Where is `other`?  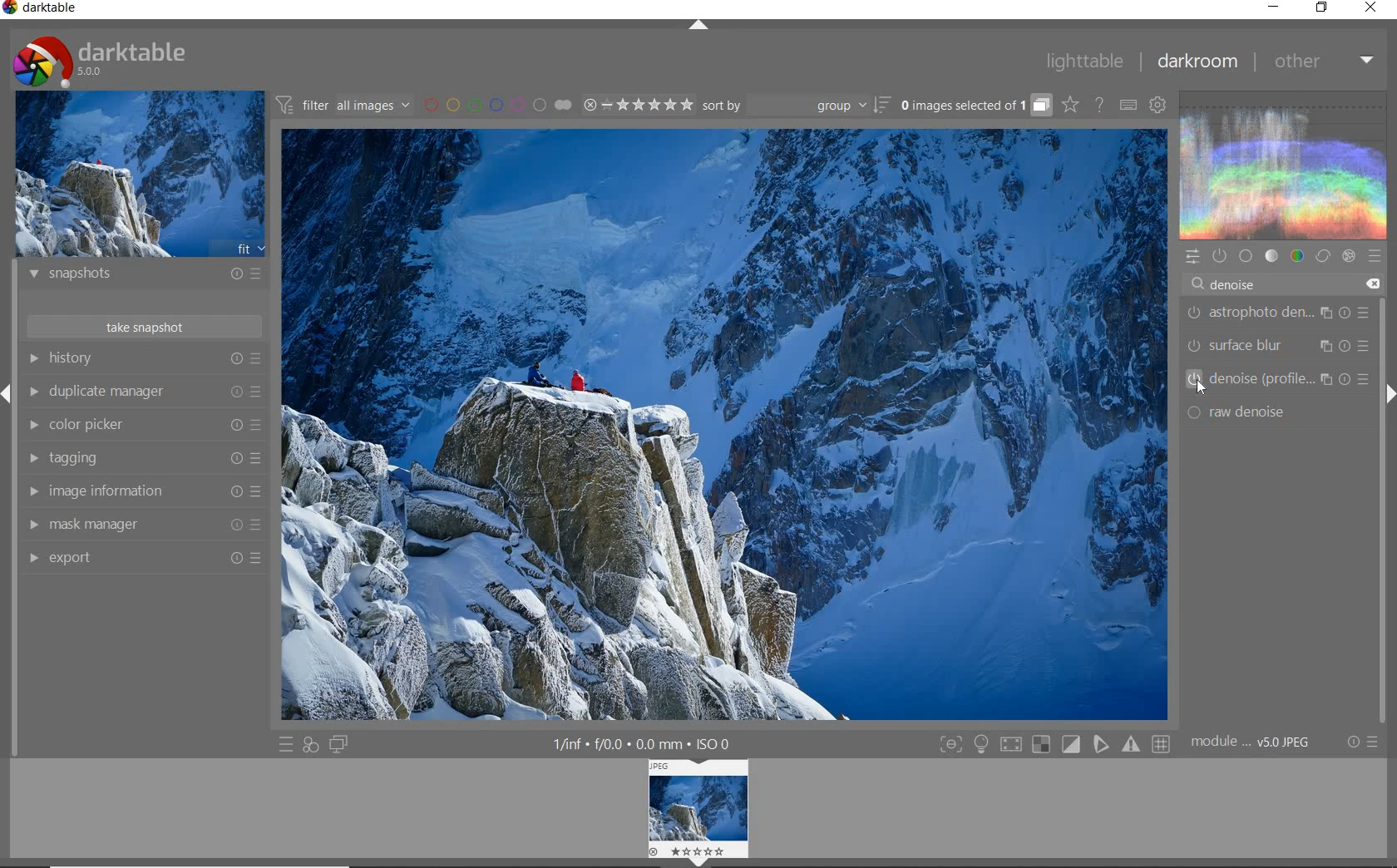 other is located at coordinates (1322, 62).